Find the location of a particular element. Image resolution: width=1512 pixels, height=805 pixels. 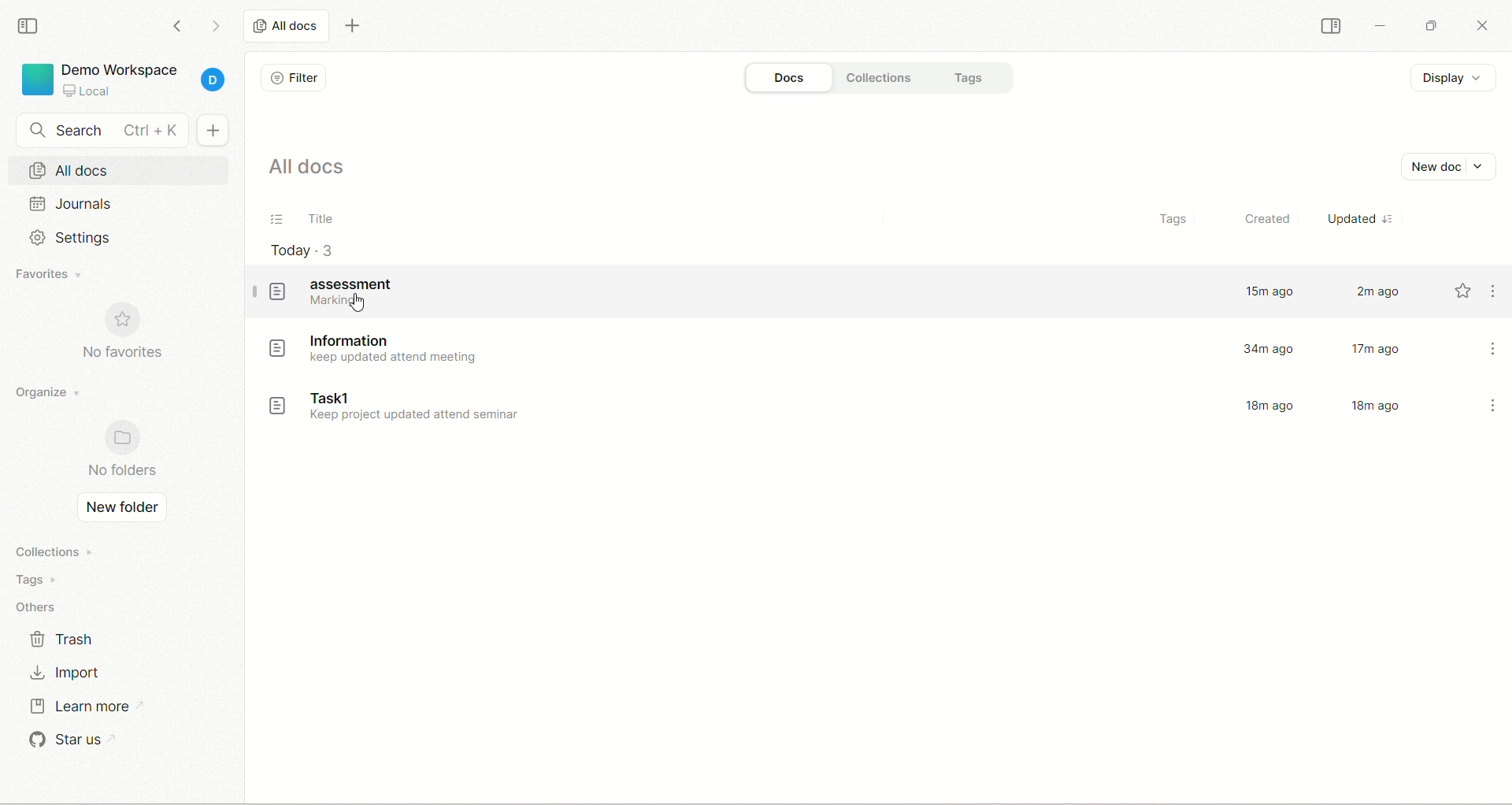

trash is located at coordinates (65, 640).